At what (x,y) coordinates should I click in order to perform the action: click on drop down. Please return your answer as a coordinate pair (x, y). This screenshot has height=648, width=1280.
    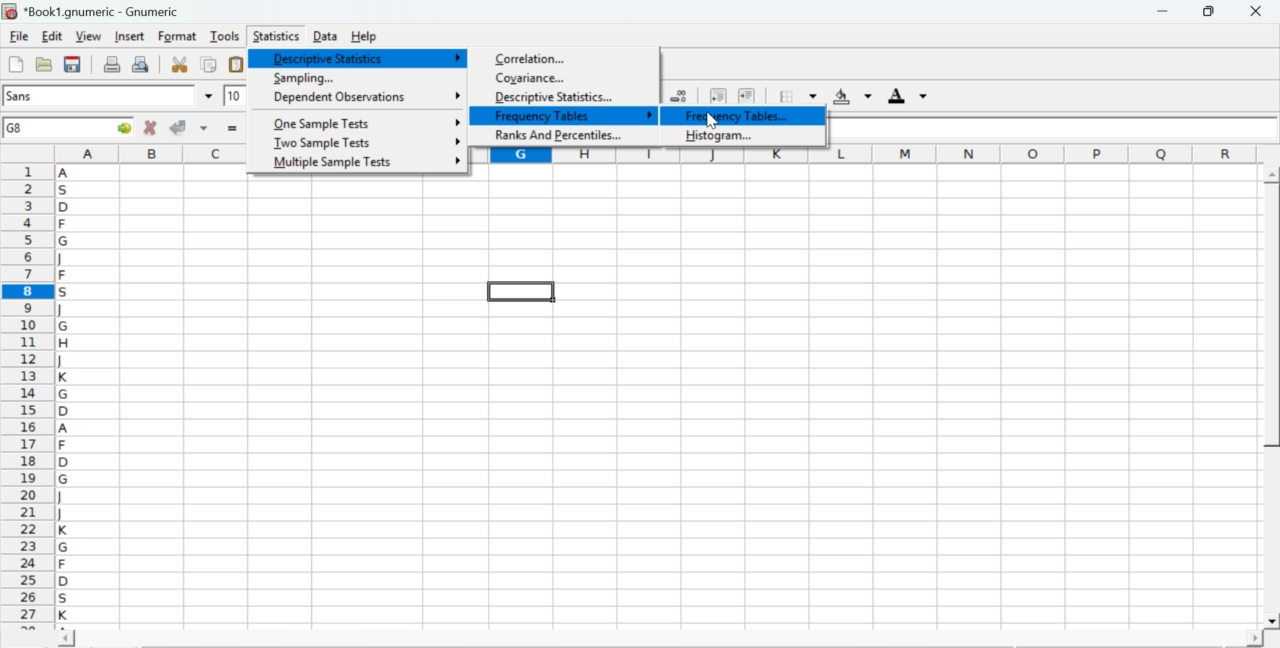
    Looking at the image, I should click on (262, 95).